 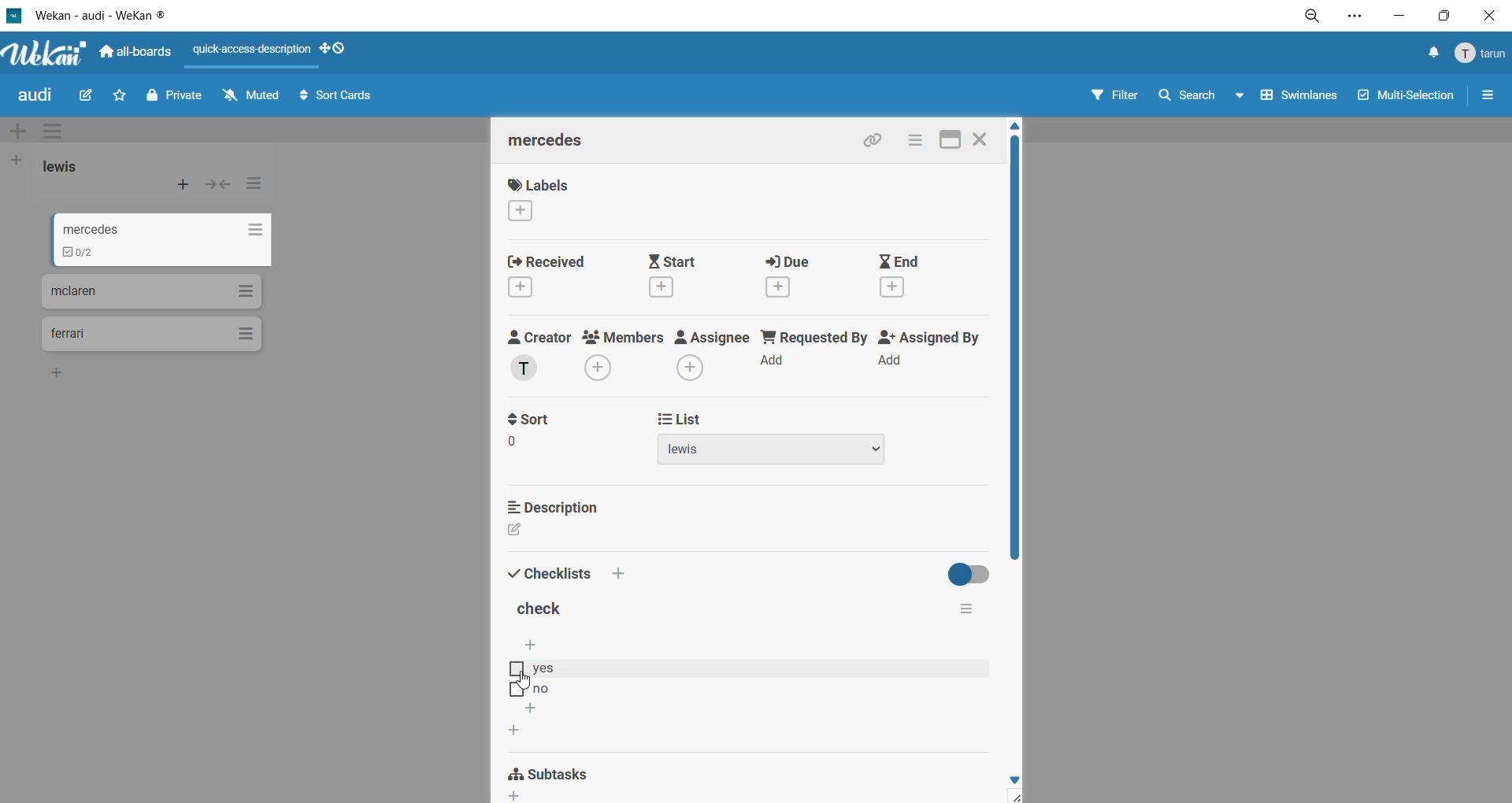 What do you see at coordinates (1199, 98) in the screenshot?
I see `search` at bounding box center [1199, 98].